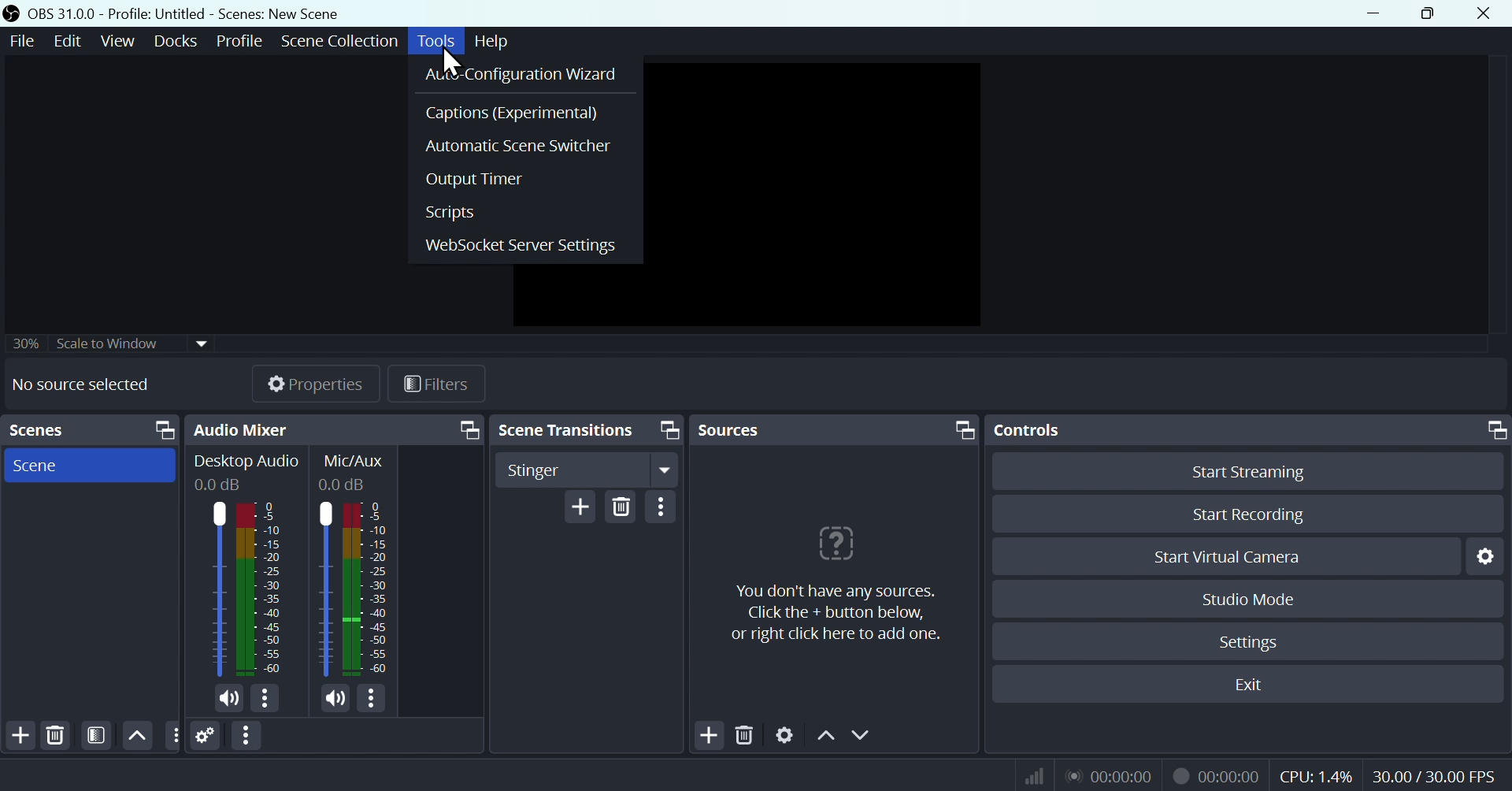 The height and width of the screenshot is (791, 1512). I want to click on Settings, so click(785, 733).